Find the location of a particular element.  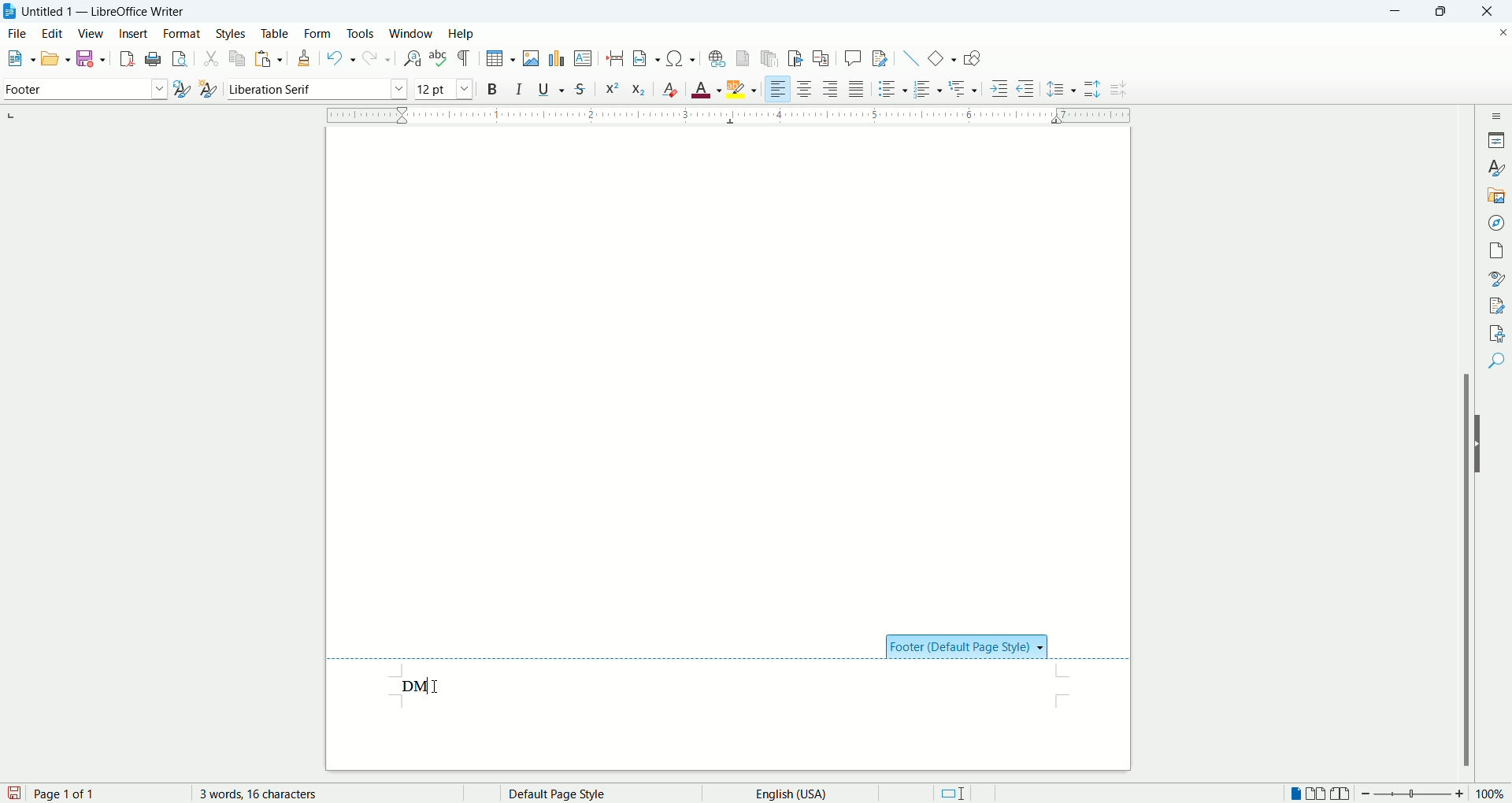

page number is located at coordinates (106, 794).